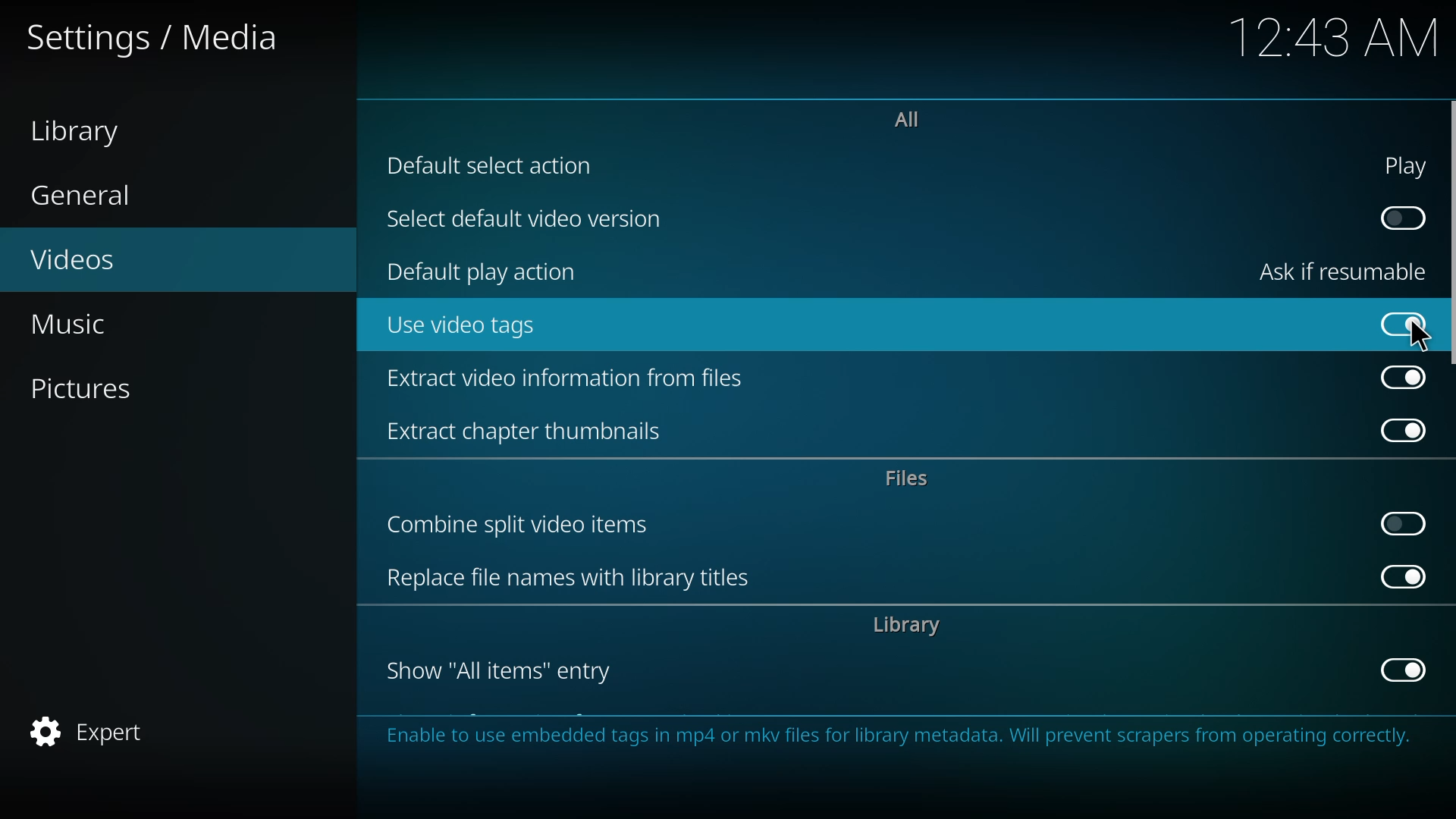 This screenshot has width=1456, height=819. Describe the element at coordinates (97, 388) in the screenshot. I see `pictures` at that location.